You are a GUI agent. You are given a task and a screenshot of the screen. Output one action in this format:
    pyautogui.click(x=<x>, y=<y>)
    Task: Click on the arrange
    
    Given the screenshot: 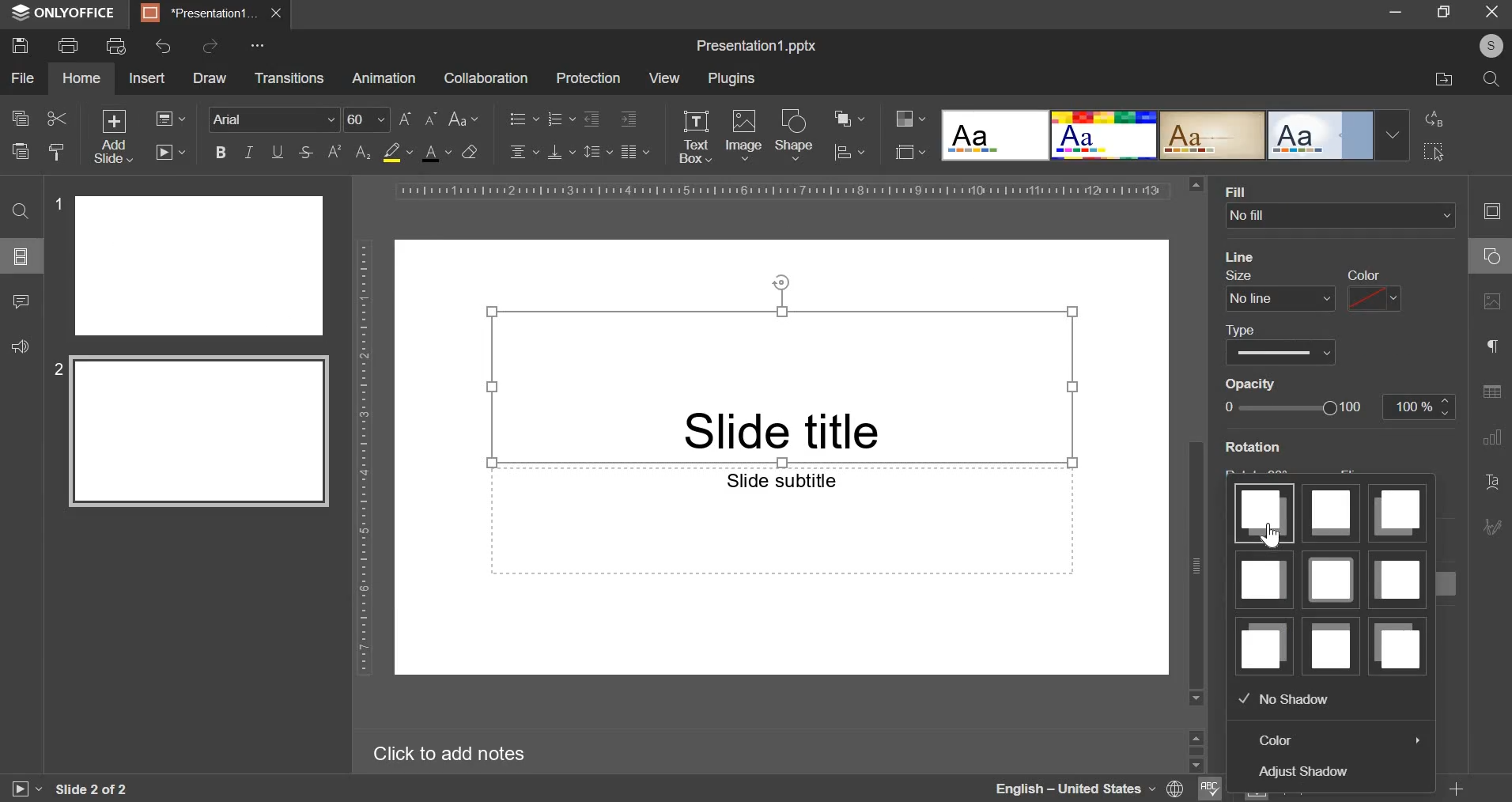 What is the action you would take?
    pyautogui.click(x=849, y=119)
    